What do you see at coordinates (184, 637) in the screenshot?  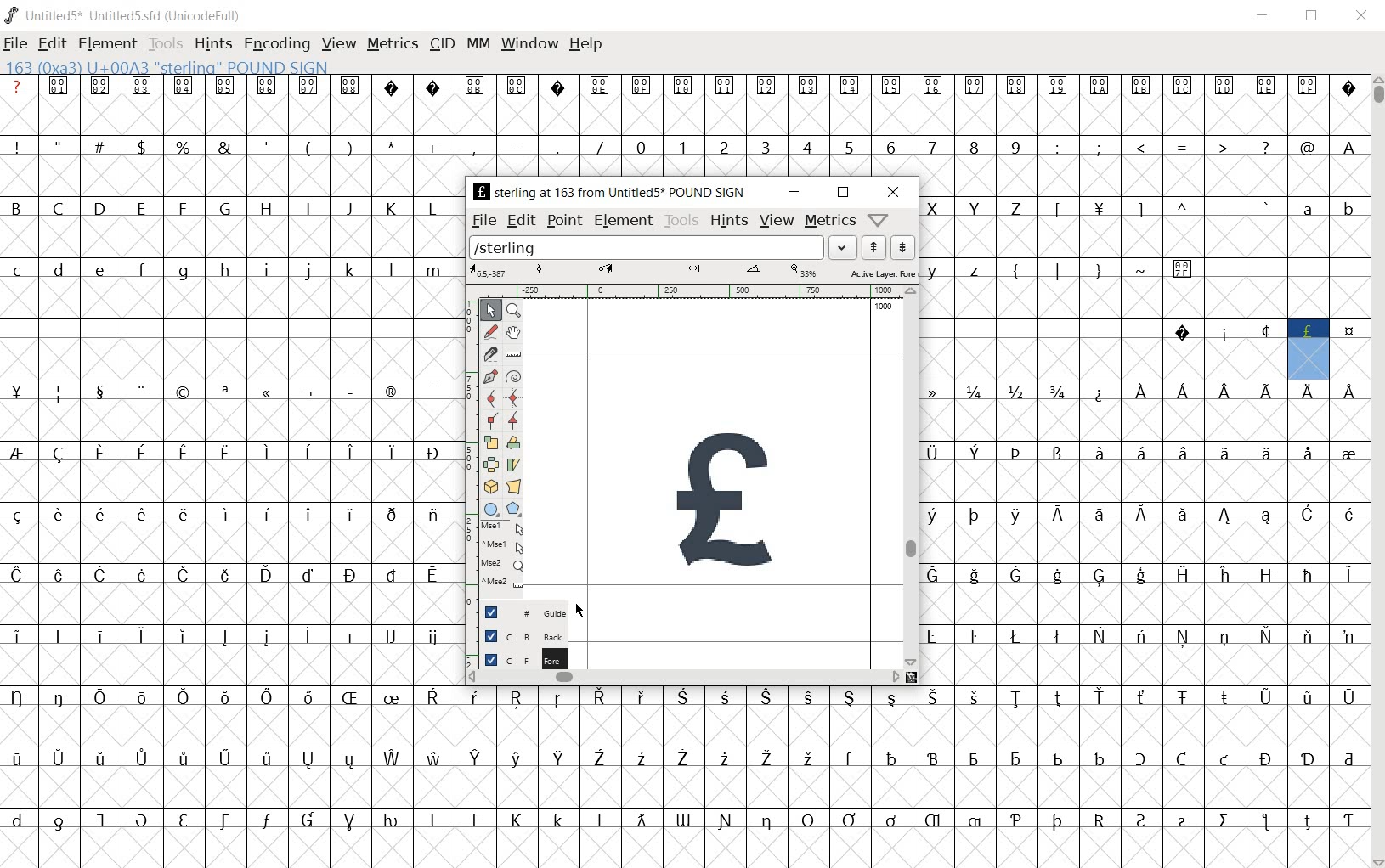 I see `Symbol` at bounding box center [184, 637].